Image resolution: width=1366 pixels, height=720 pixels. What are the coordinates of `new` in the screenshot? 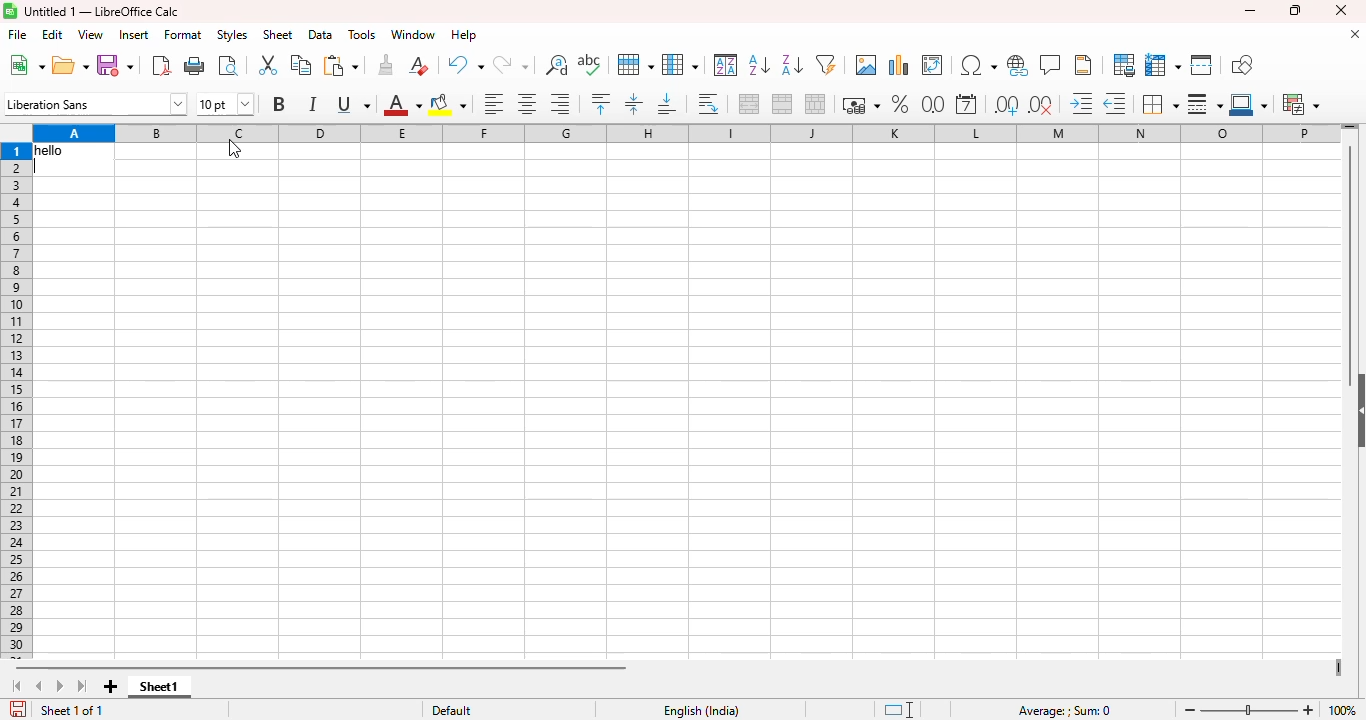 It's located at (26, 64).